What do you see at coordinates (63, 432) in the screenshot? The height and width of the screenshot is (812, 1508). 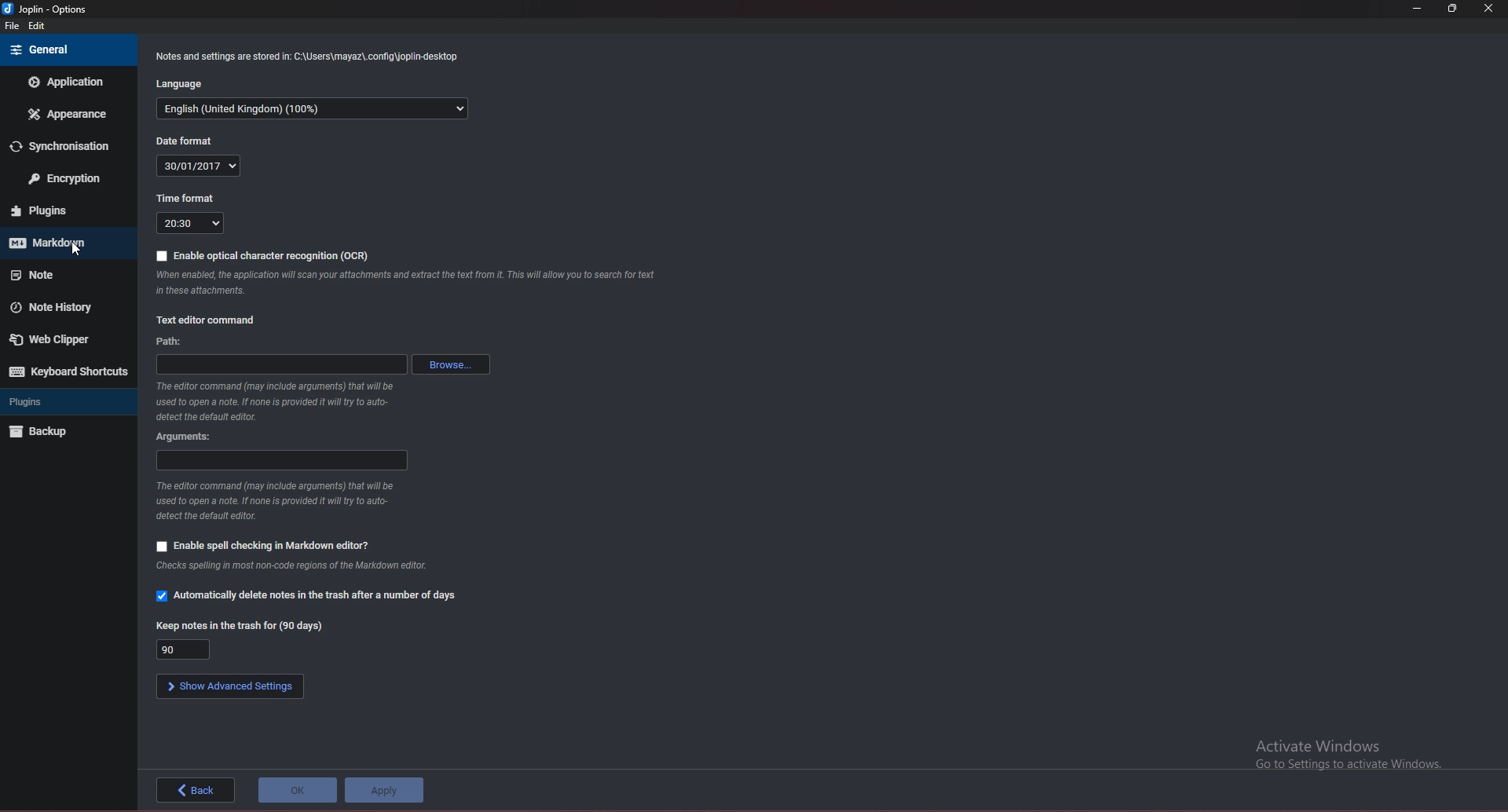 I see `backup` at bounding box center [63, 432].